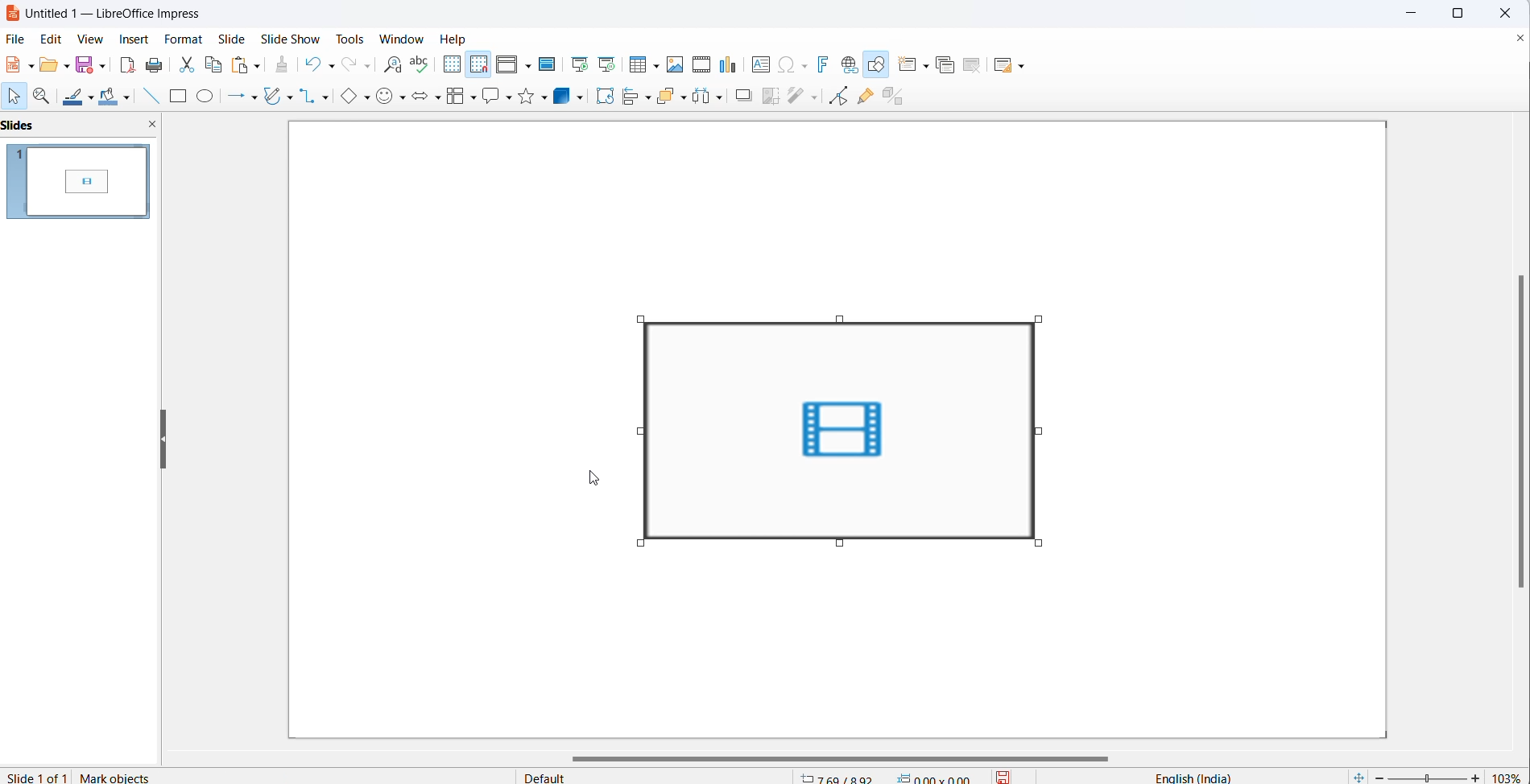 The image size is (1530, 784). Describe the element at coordinates (490, 97) in the screenshot. I see `callout shapes` at that location.